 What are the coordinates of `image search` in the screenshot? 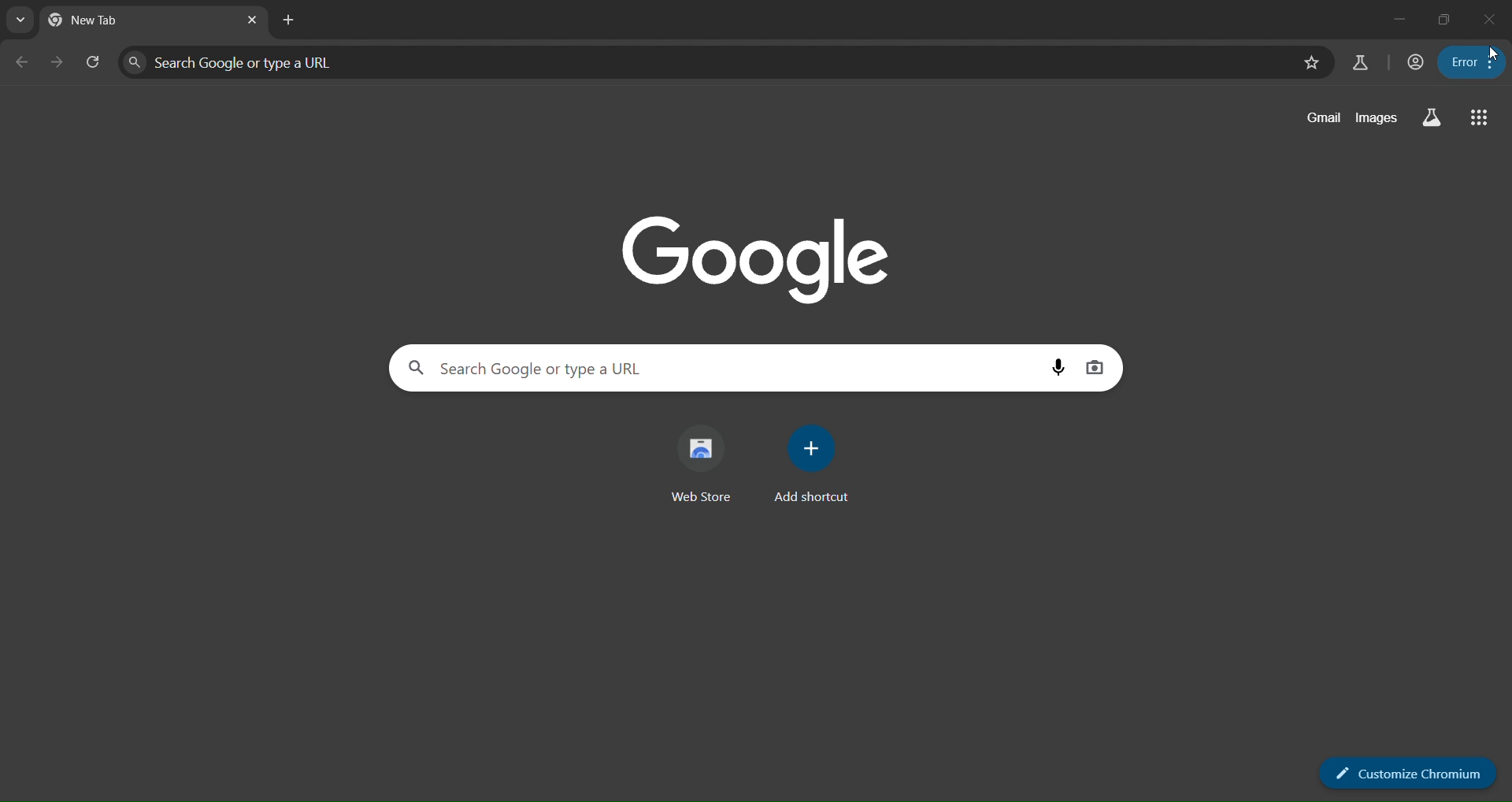 It's located at (1095, 370).